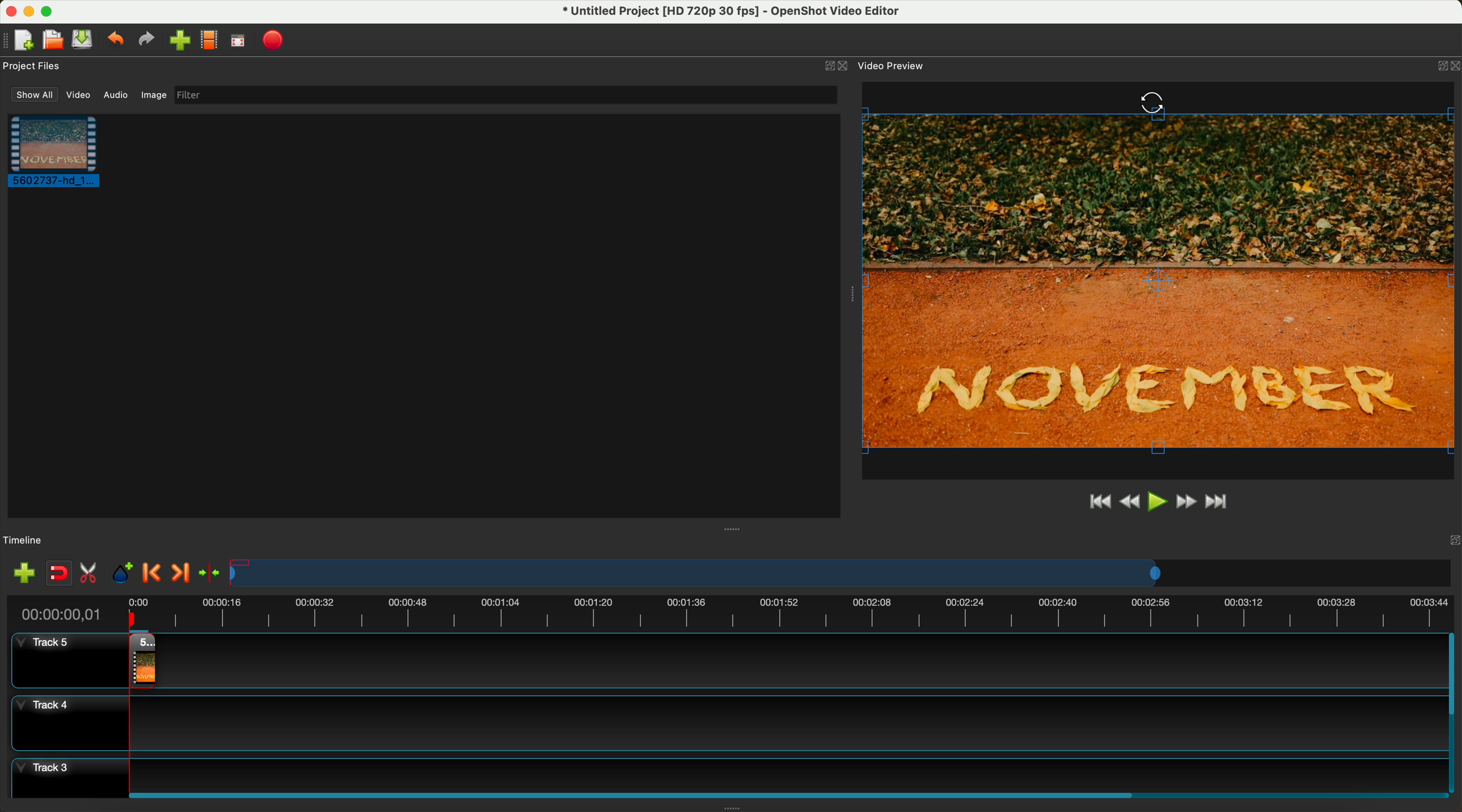  I want to click on video, so click(78, 96).